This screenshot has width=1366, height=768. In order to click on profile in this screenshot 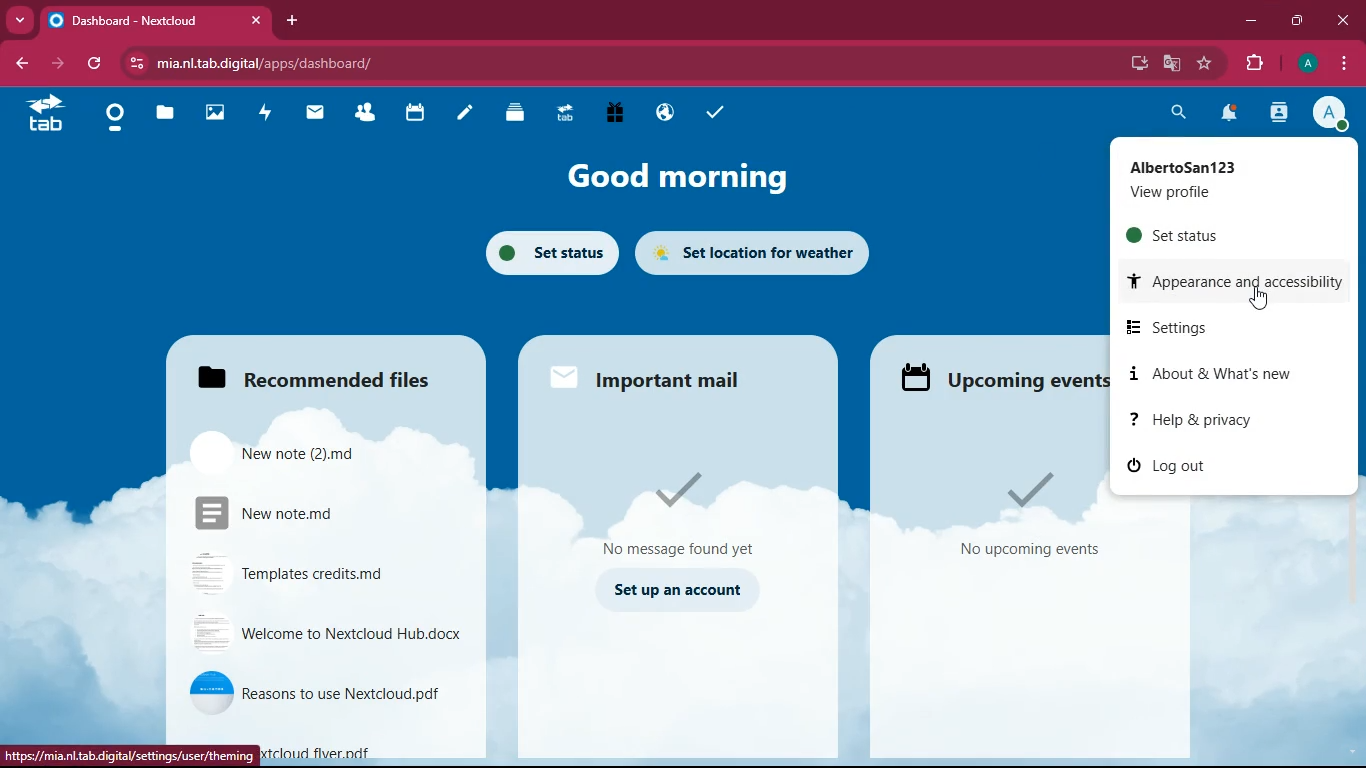, I will do `click(1331, 116)`.